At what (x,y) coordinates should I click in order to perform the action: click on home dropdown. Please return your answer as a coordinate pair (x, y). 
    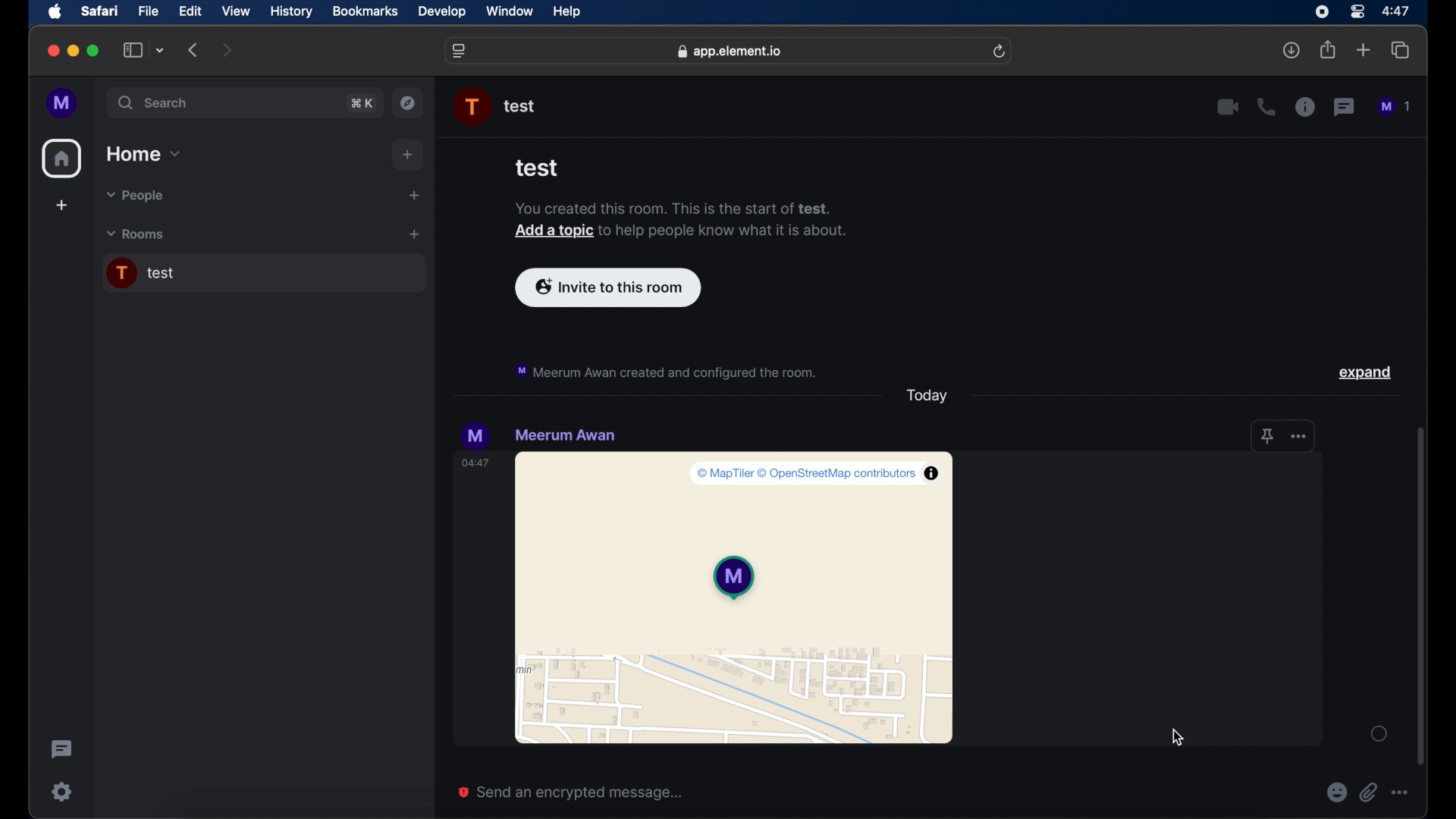
    Looking at the image, I should click on (145, 154).